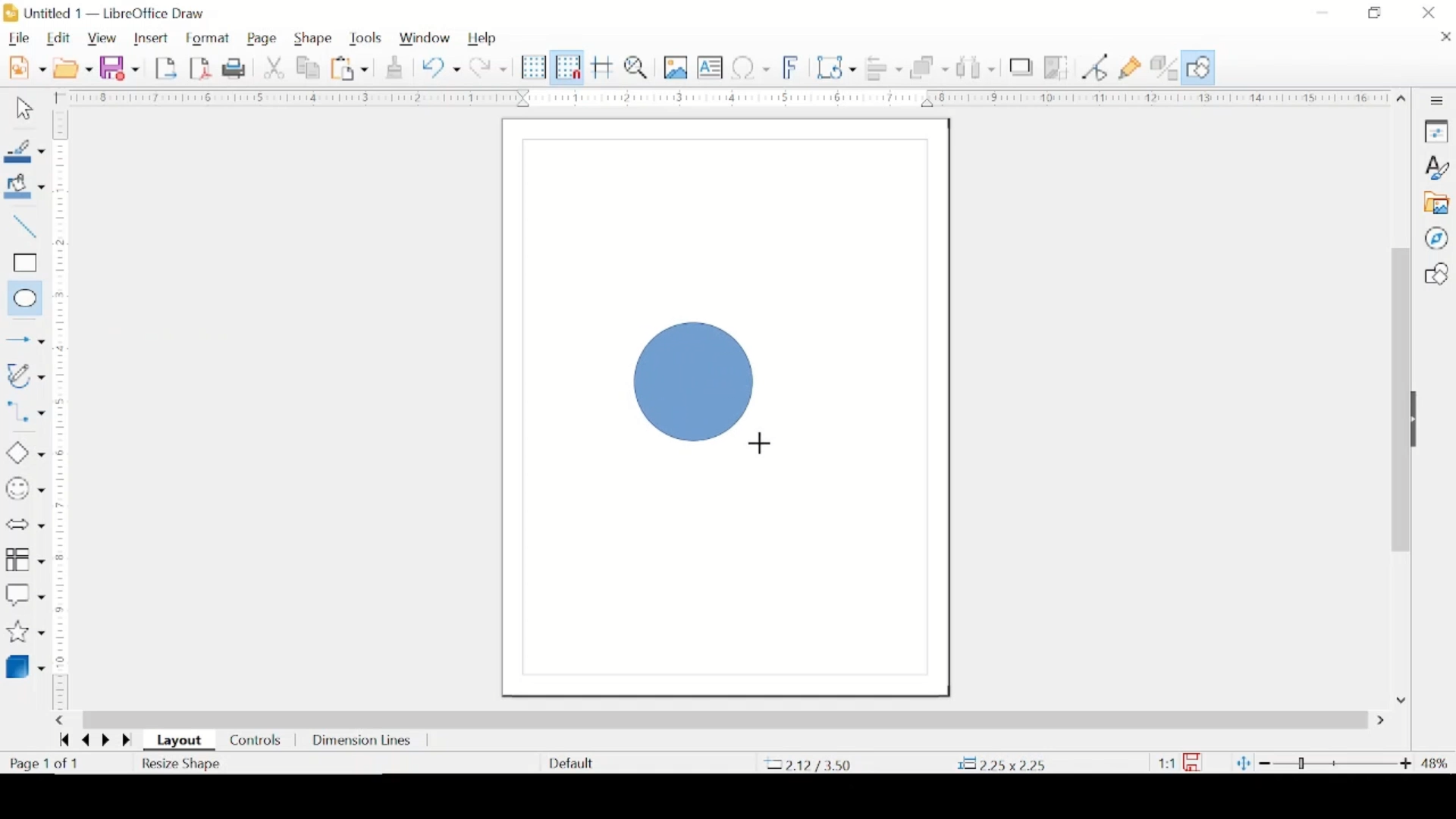 The width and height of the screenshot is (1456, 819). What do you see at coordinates (393, 67) in the screenshot?
I see `clone formatting` at bounding box center [393, 67].